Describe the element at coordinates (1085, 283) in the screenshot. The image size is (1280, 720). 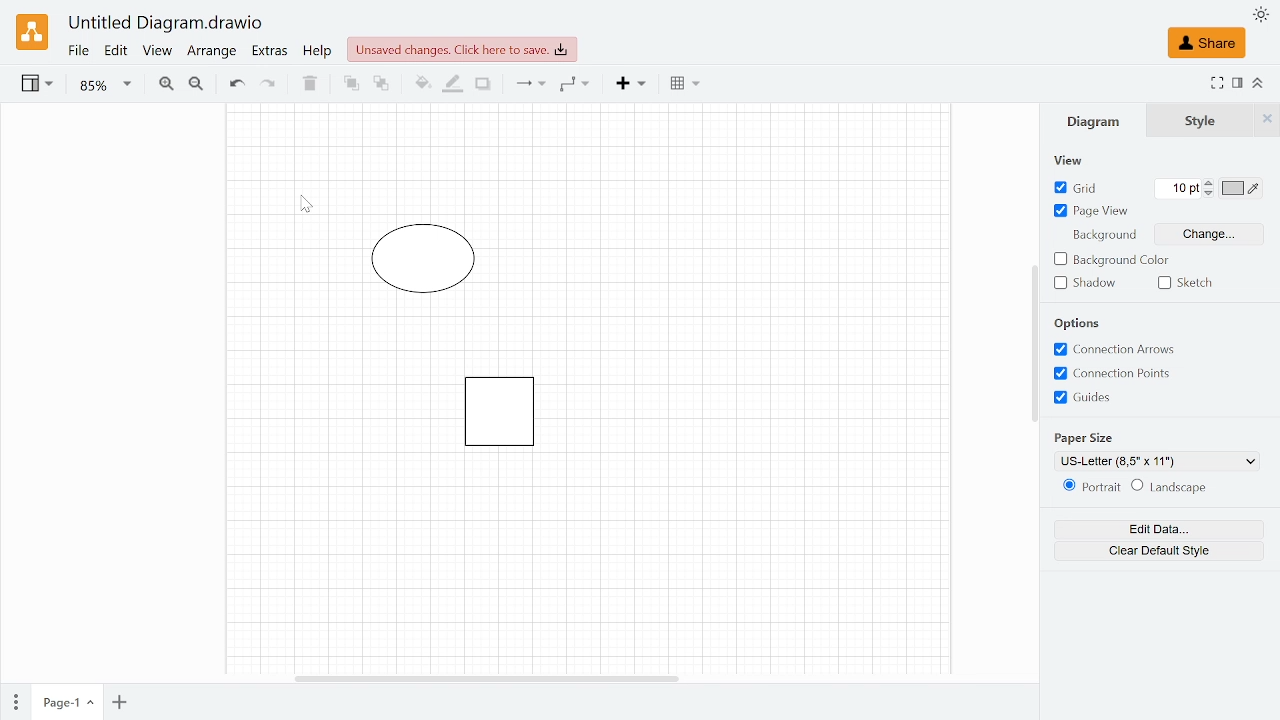
I see `Shadow` at that location.